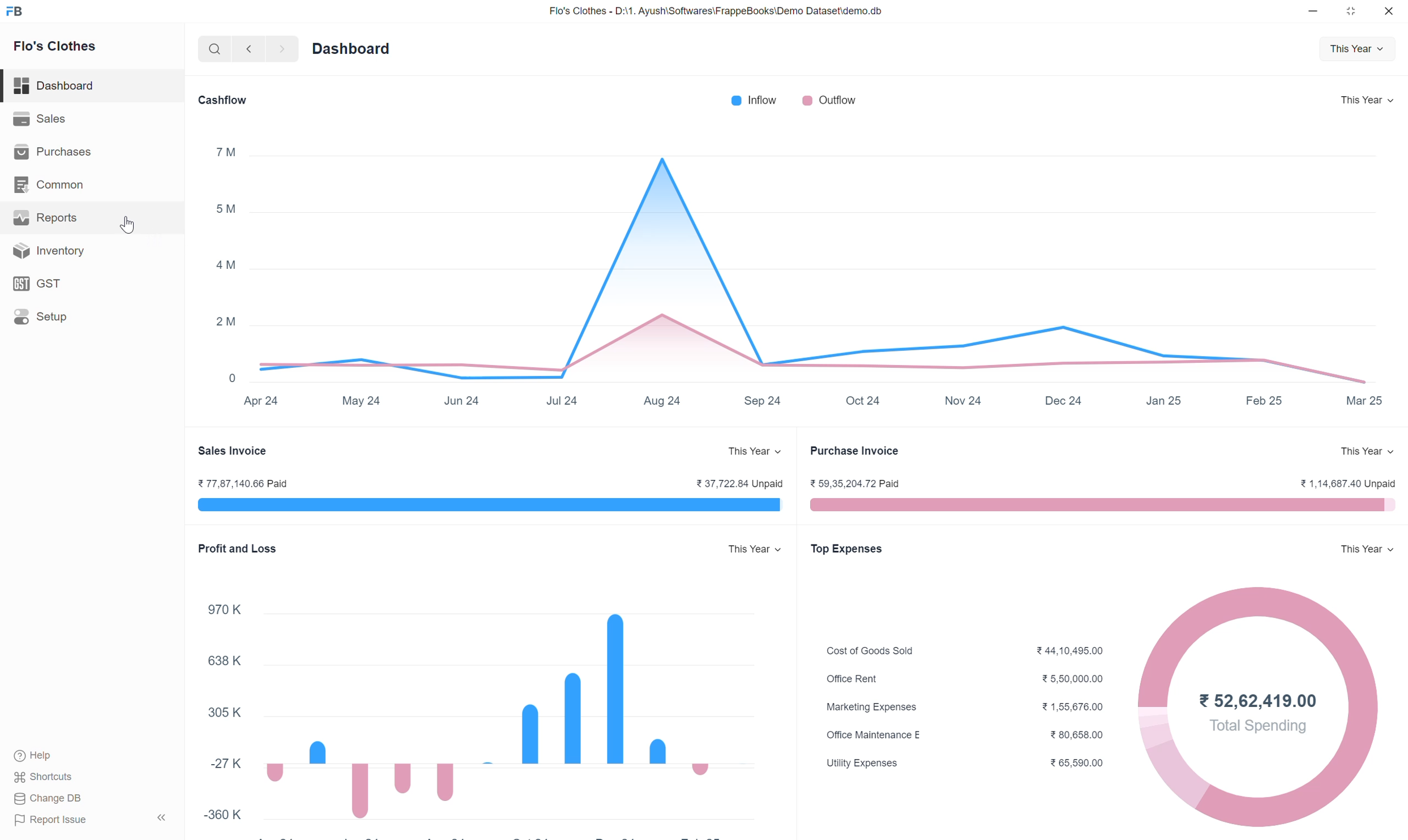  What do you see at coordinates (874, 651) in the screenshot?
I see `Cost of Goods Sold` at bounding box center [874, 651].